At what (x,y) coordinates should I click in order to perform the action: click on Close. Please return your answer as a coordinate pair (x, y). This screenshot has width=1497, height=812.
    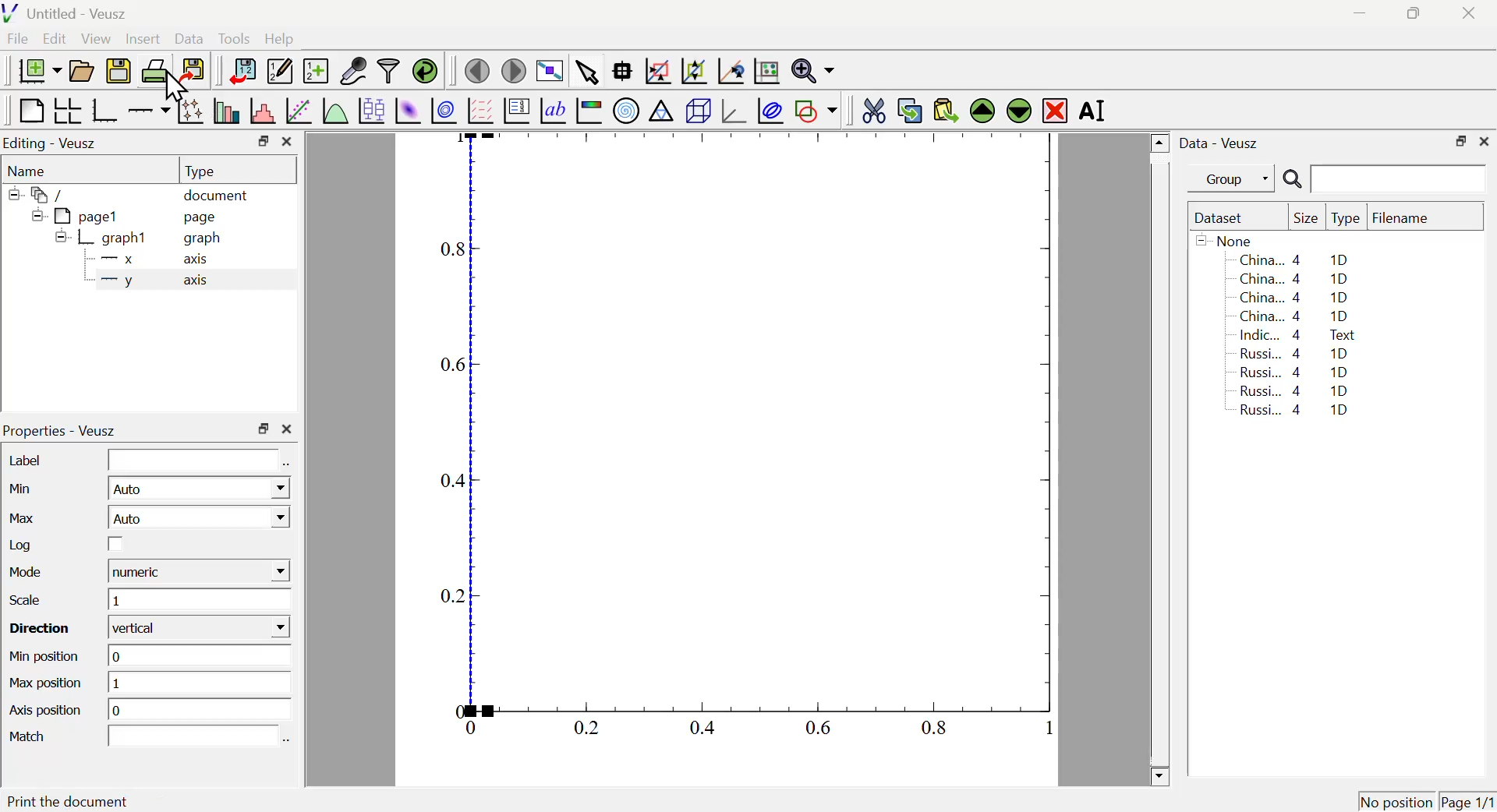
    Looking at the image, I should click on (287, 142).